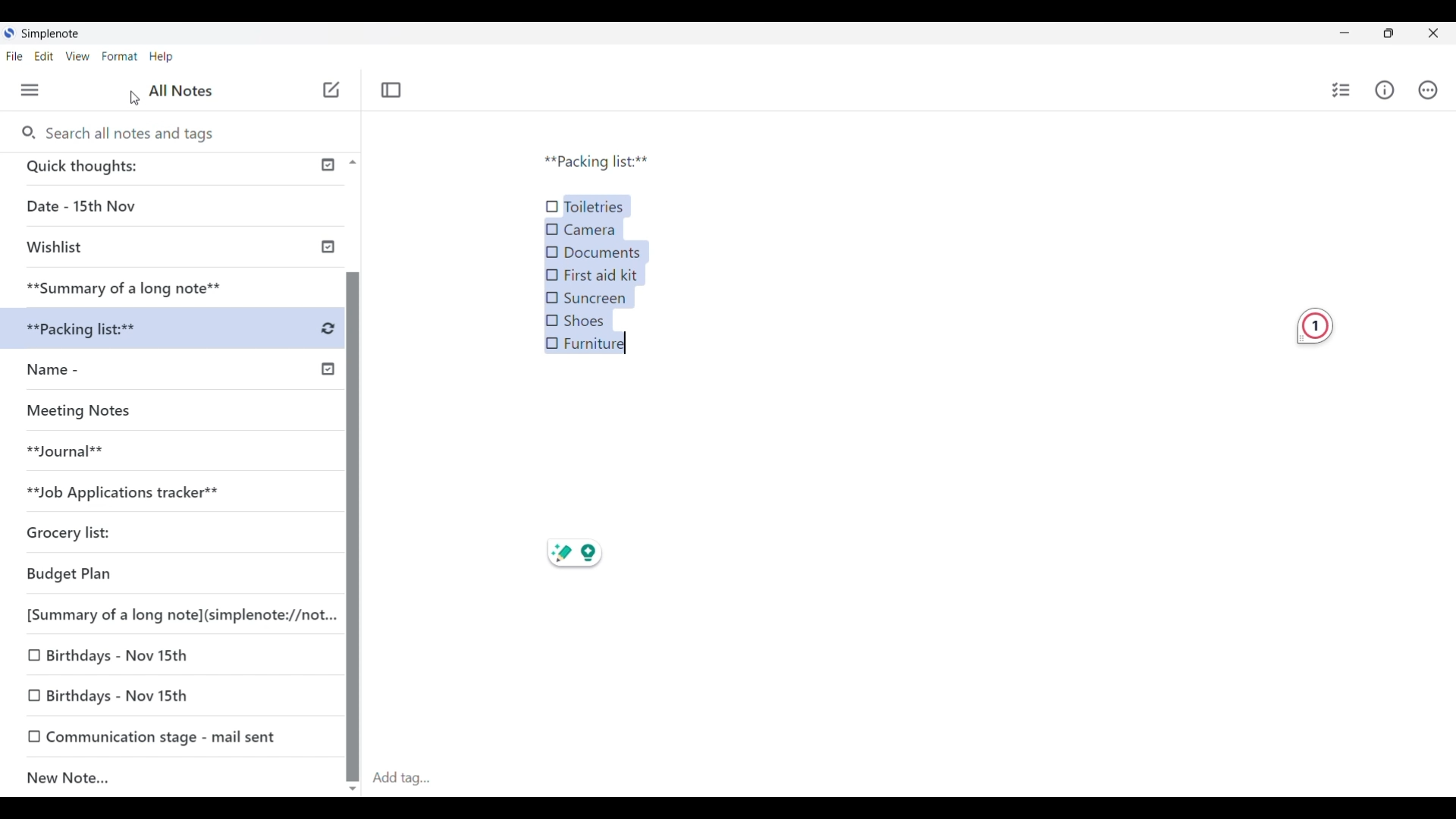 This screenshot has height=819, width=1456. Describe the element at coordinates (14, 56) in the screenshot. I see `File menu` at that location.